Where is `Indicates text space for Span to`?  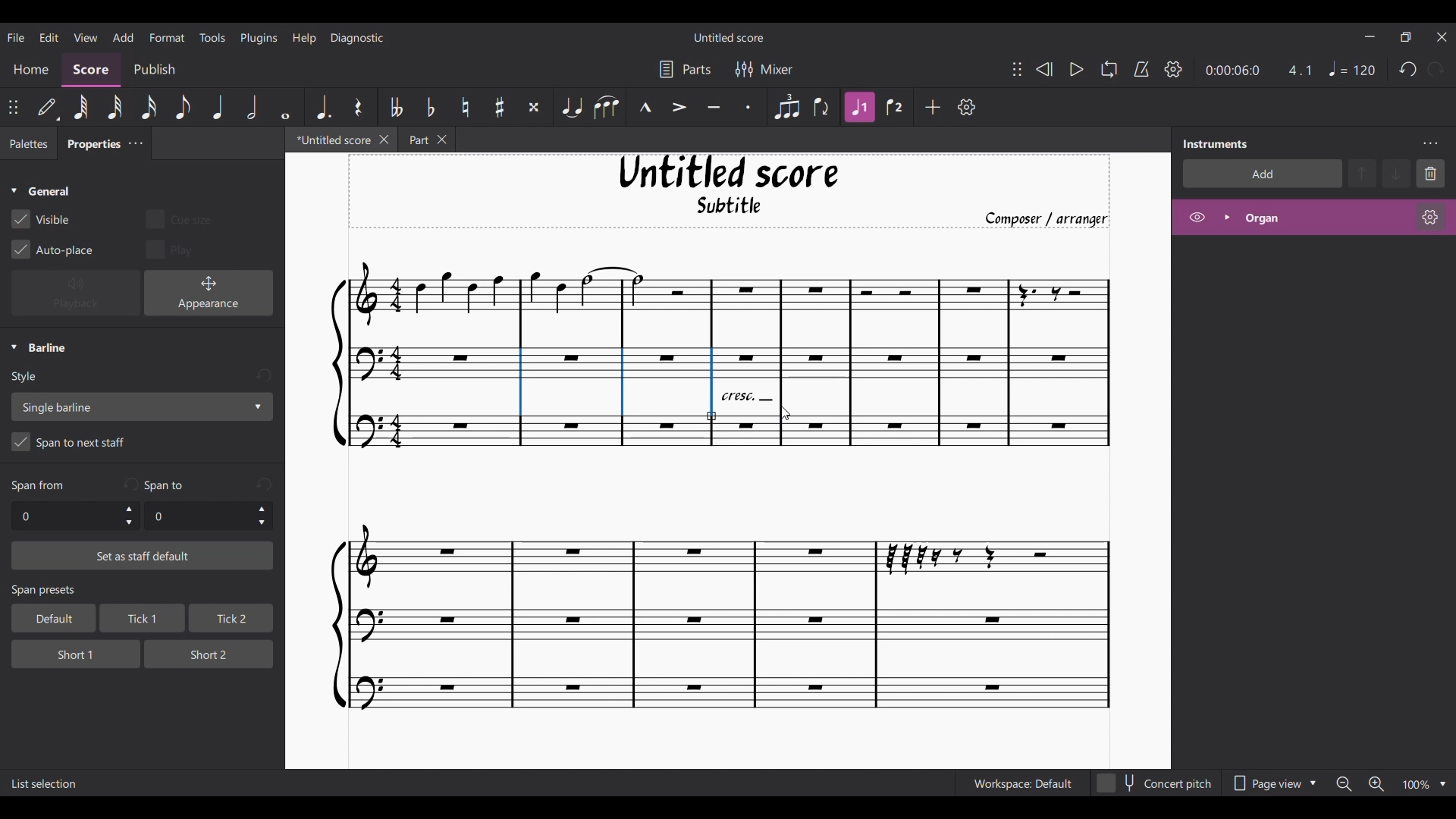
Indicates text space for Span to is located at coordinates (168, 485).